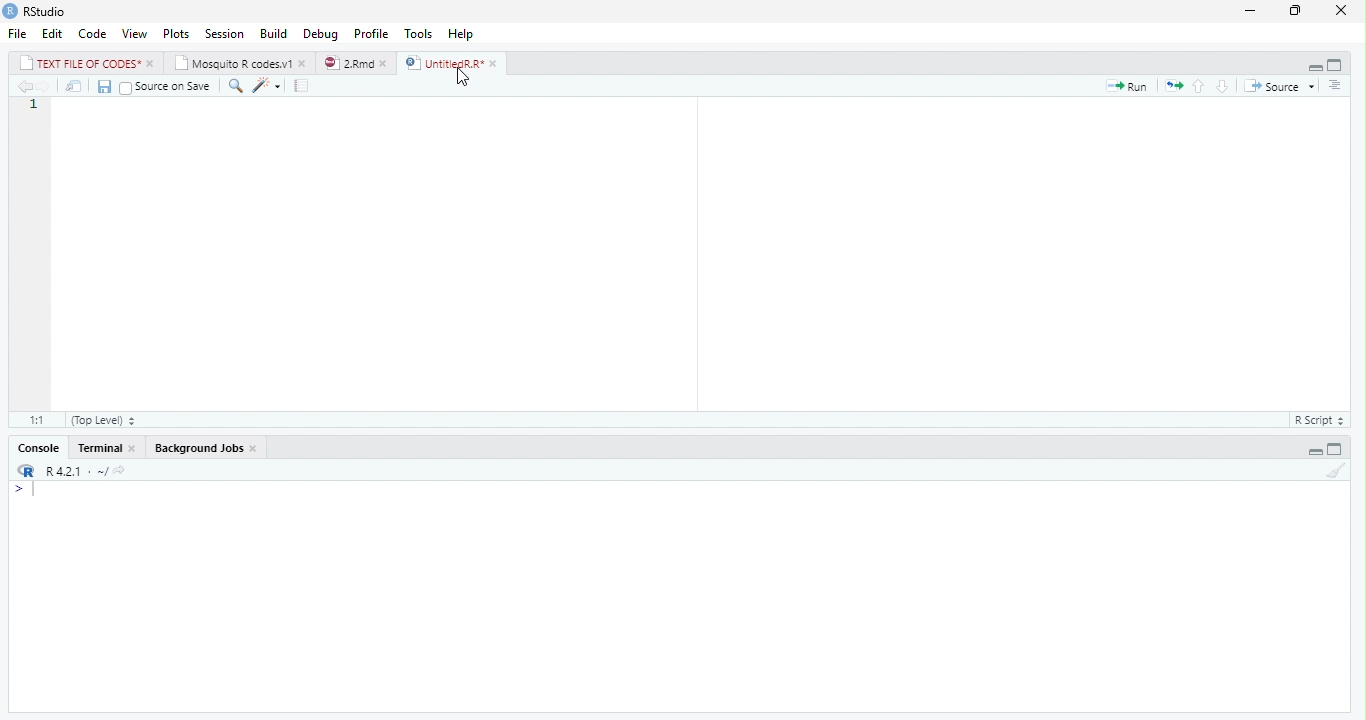  I want to click on Save, so click(105, 87).